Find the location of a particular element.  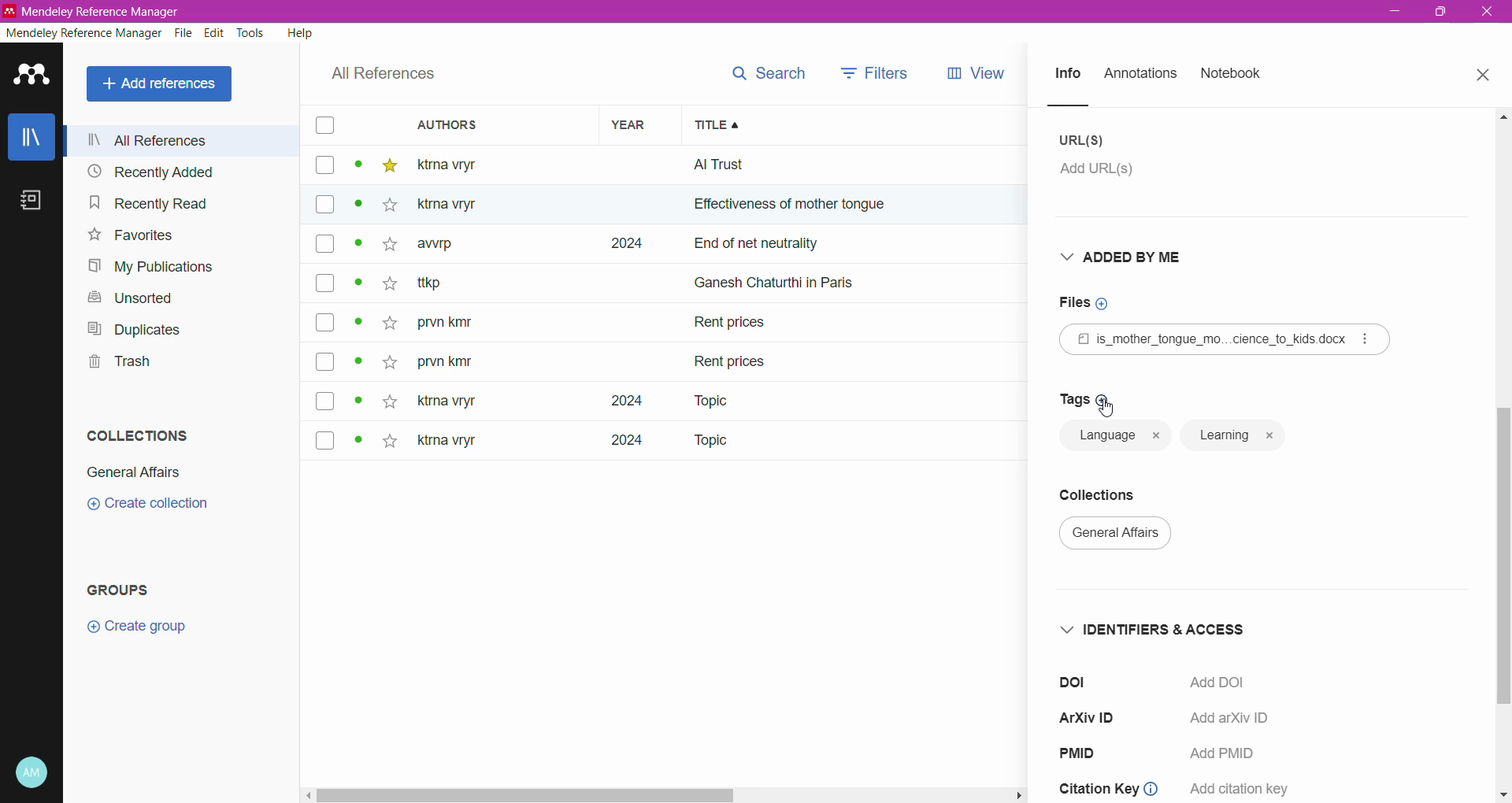

Title is located at coordinates (863, 125).